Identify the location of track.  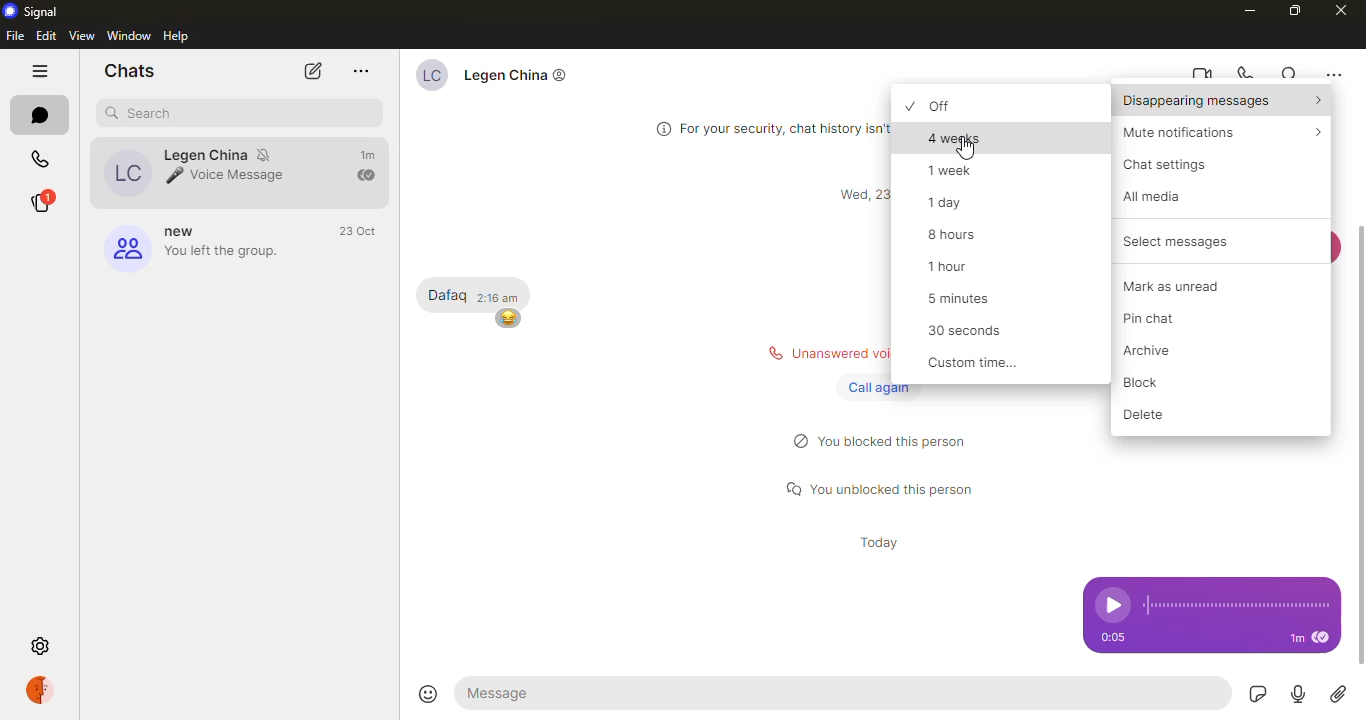
(1235, 605).